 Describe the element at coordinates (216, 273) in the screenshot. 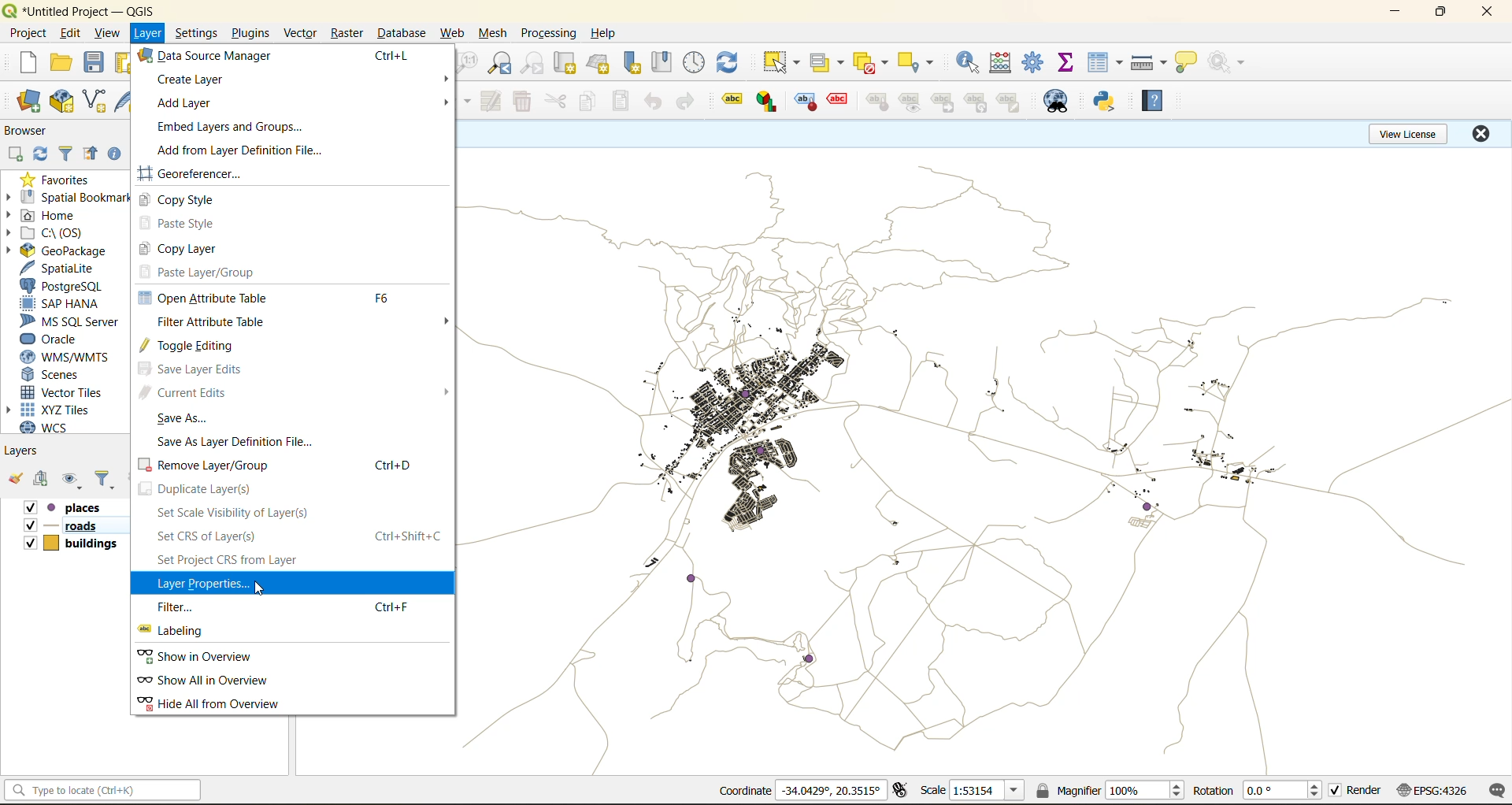

I see `paste layer` at that location.